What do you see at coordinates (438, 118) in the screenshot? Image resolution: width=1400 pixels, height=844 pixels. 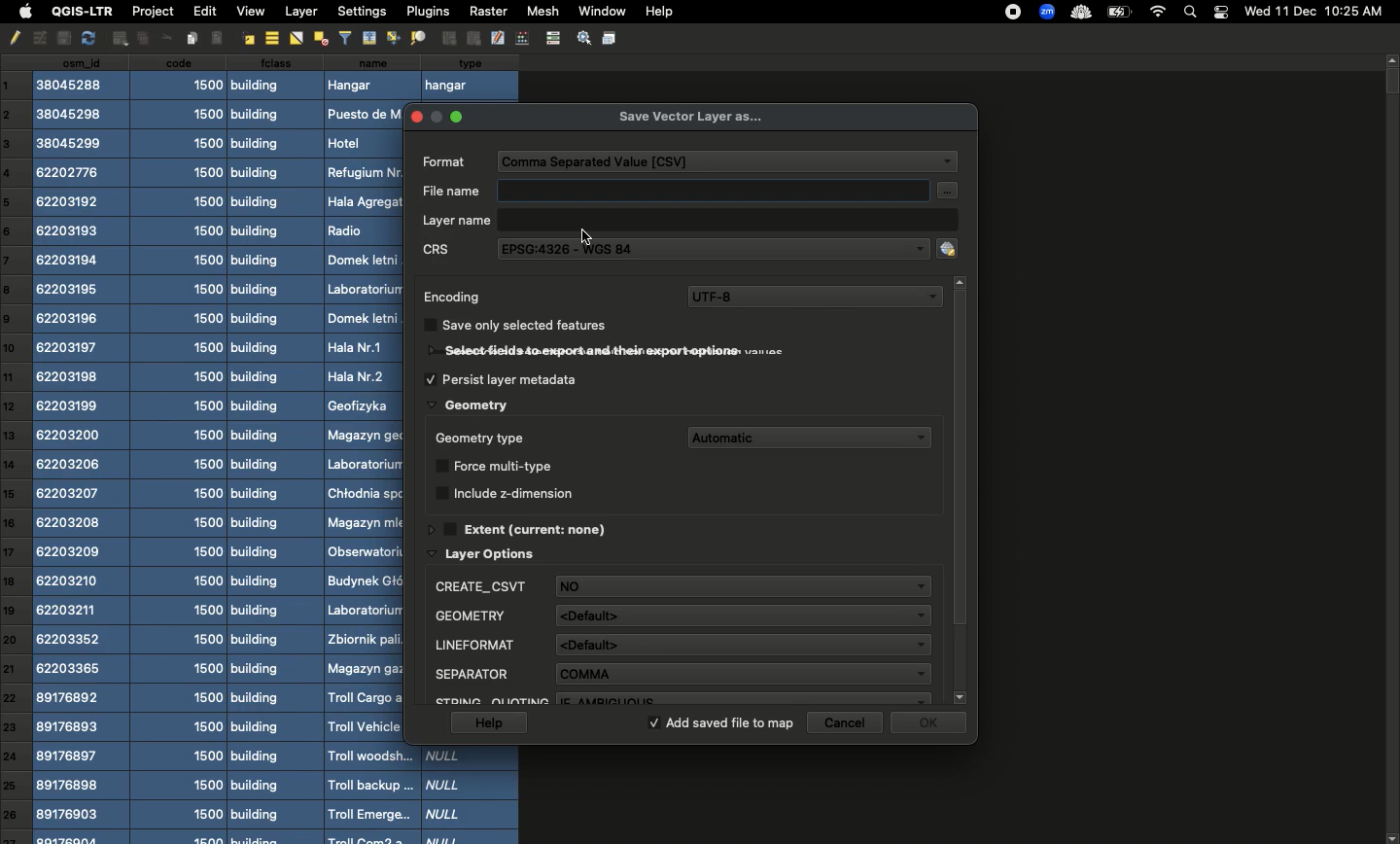 I see `minimize` at bounding box center [438, 118].